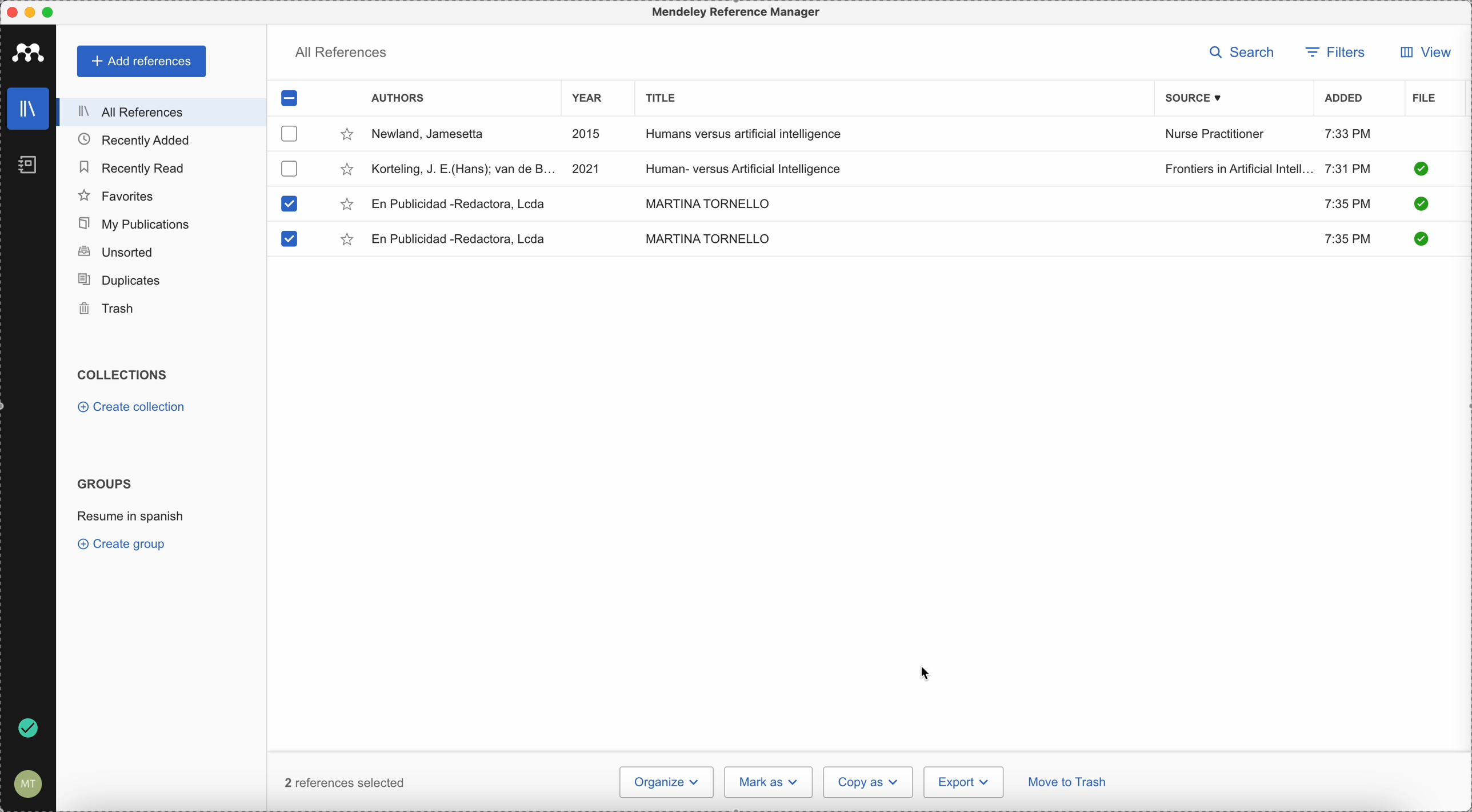 The image size is (1472, 812). I want to click on added, so click(1344, 99).